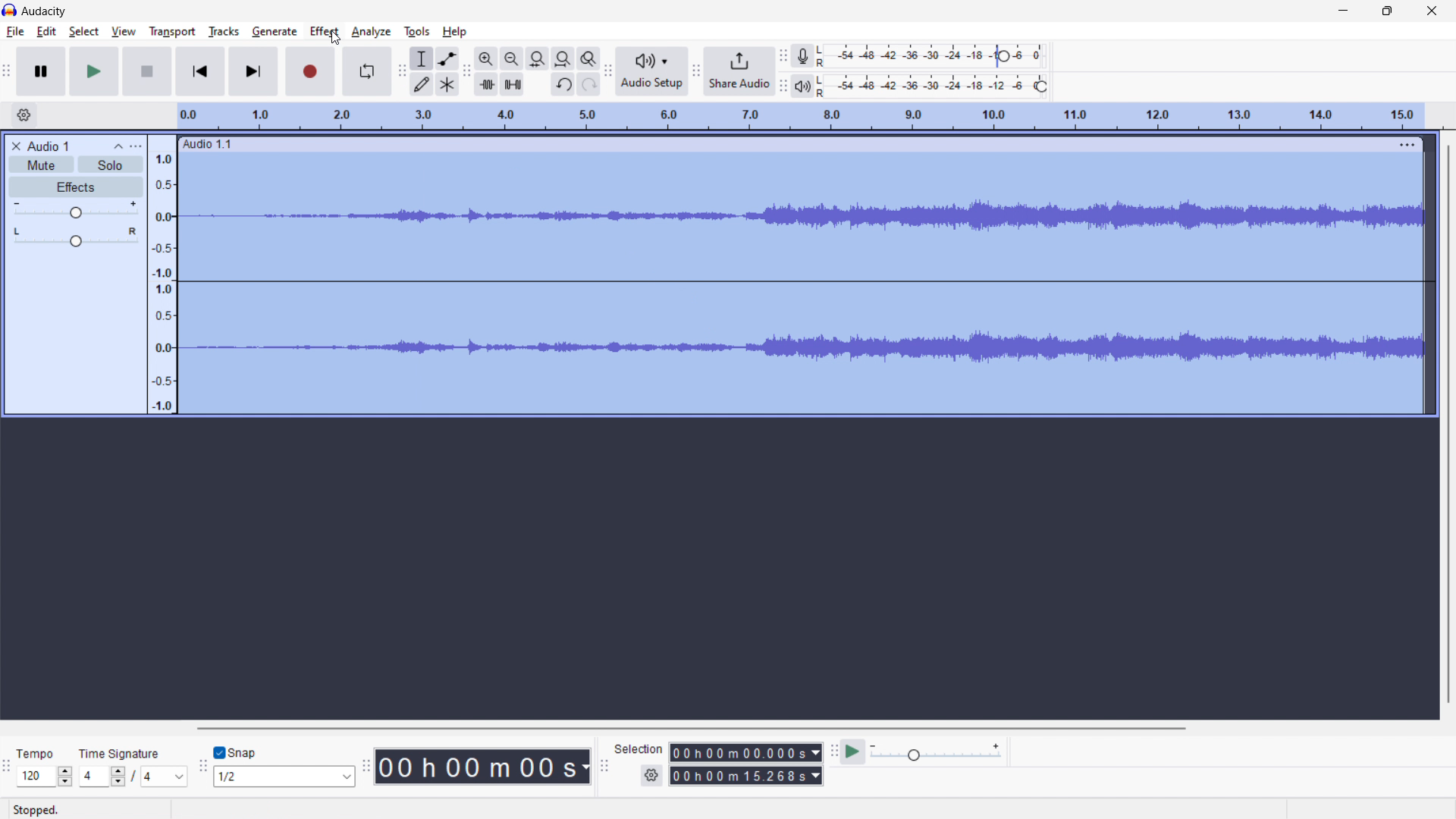  Describe the element at coordinates (24, 115) in the screenshot. I see `timeline settings` at that location.